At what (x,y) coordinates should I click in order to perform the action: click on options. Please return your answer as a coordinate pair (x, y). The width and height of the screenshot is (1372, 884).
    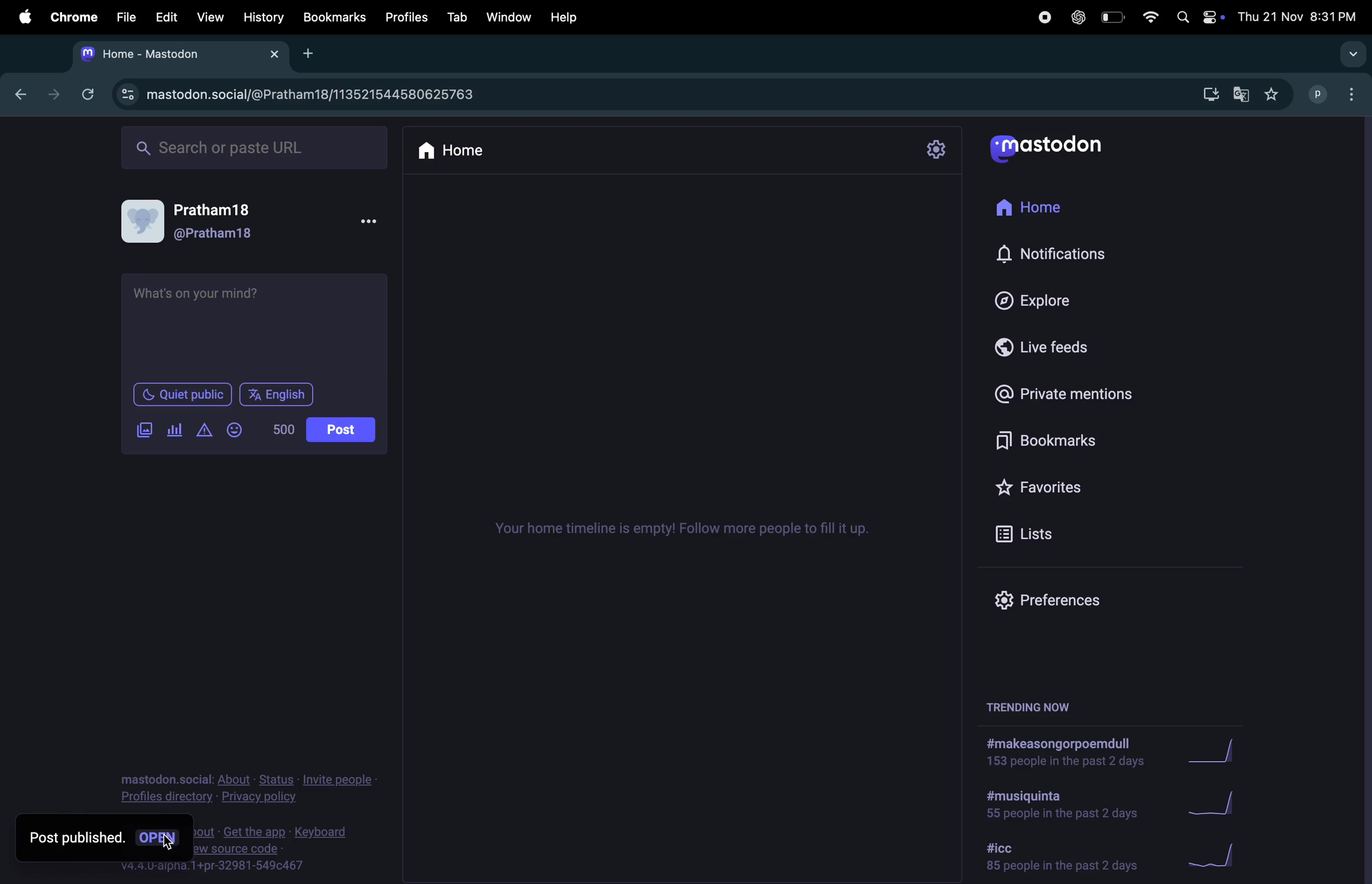
    Looking at the image, I should click on (1356, 95).